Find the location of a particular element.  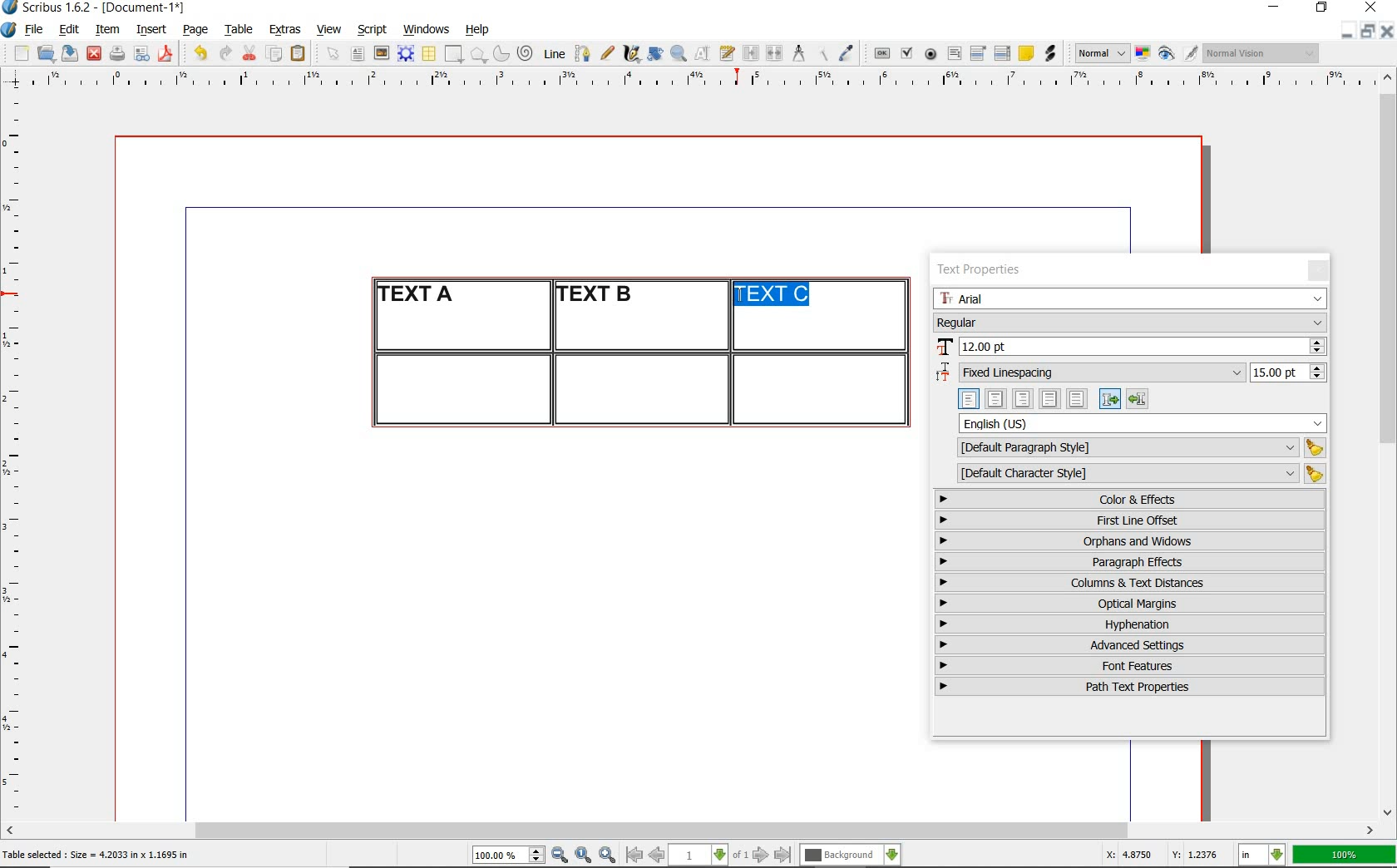

font family is located at coordinates (1132, 298).